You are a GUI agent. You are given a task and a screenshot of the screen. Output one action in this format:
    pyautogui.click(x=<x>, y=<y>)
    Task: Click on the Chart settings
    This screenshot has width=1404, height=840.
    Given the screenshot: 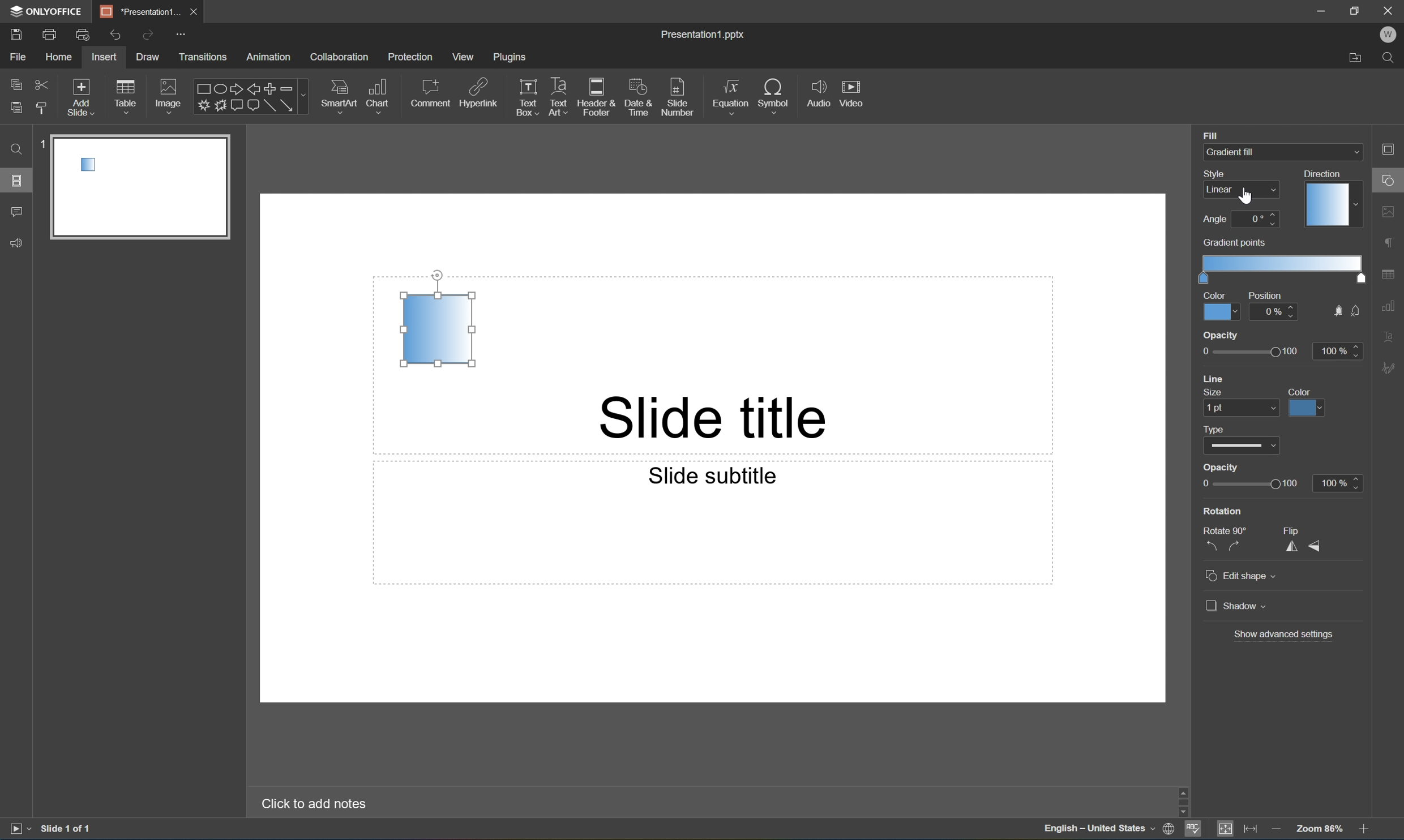 What is the action you would take?
    pyautogui.click(x=1391, y=306)
    